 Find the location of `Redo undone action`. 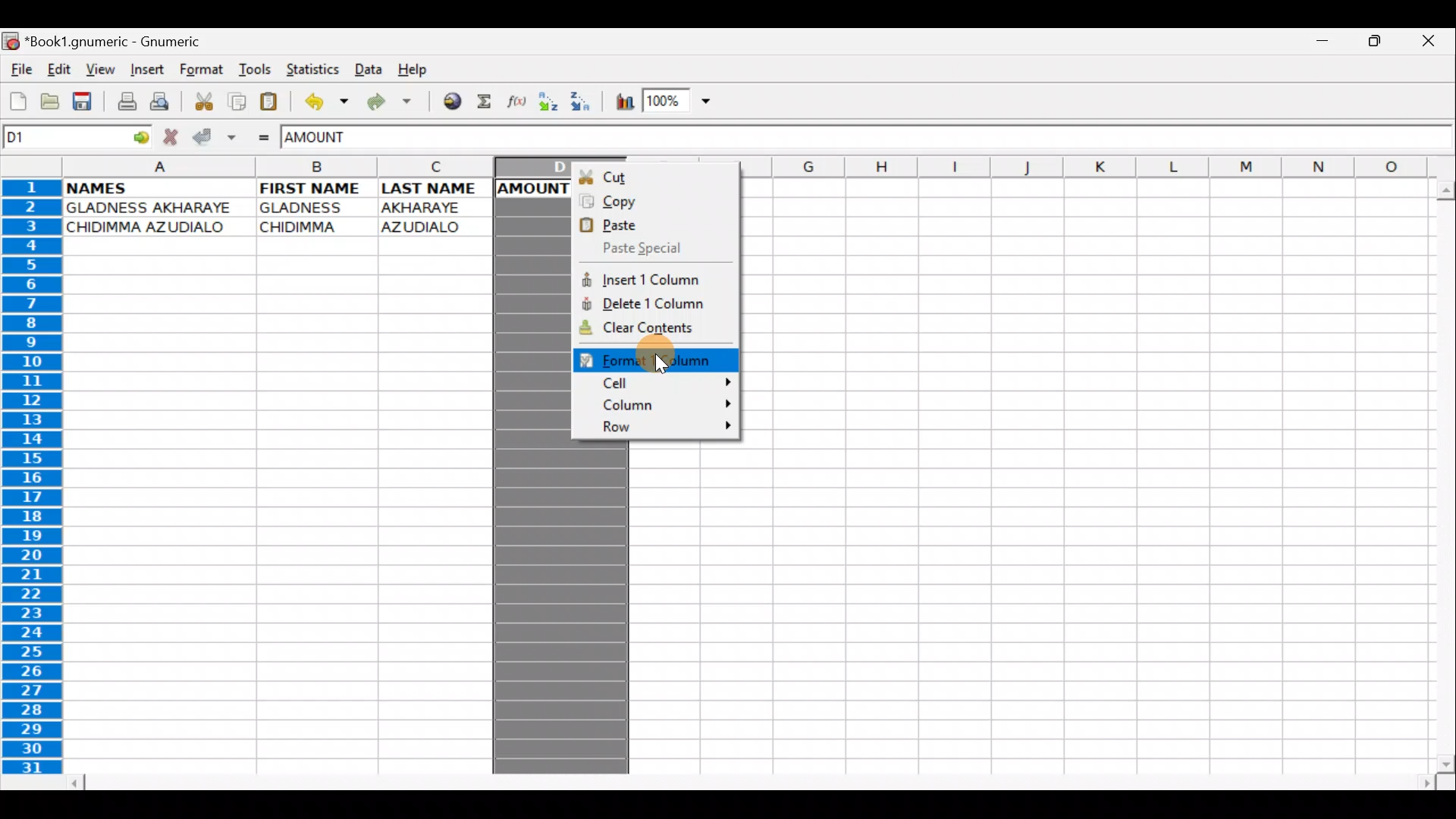

Redo undone action is located at coordinates (386, 102).